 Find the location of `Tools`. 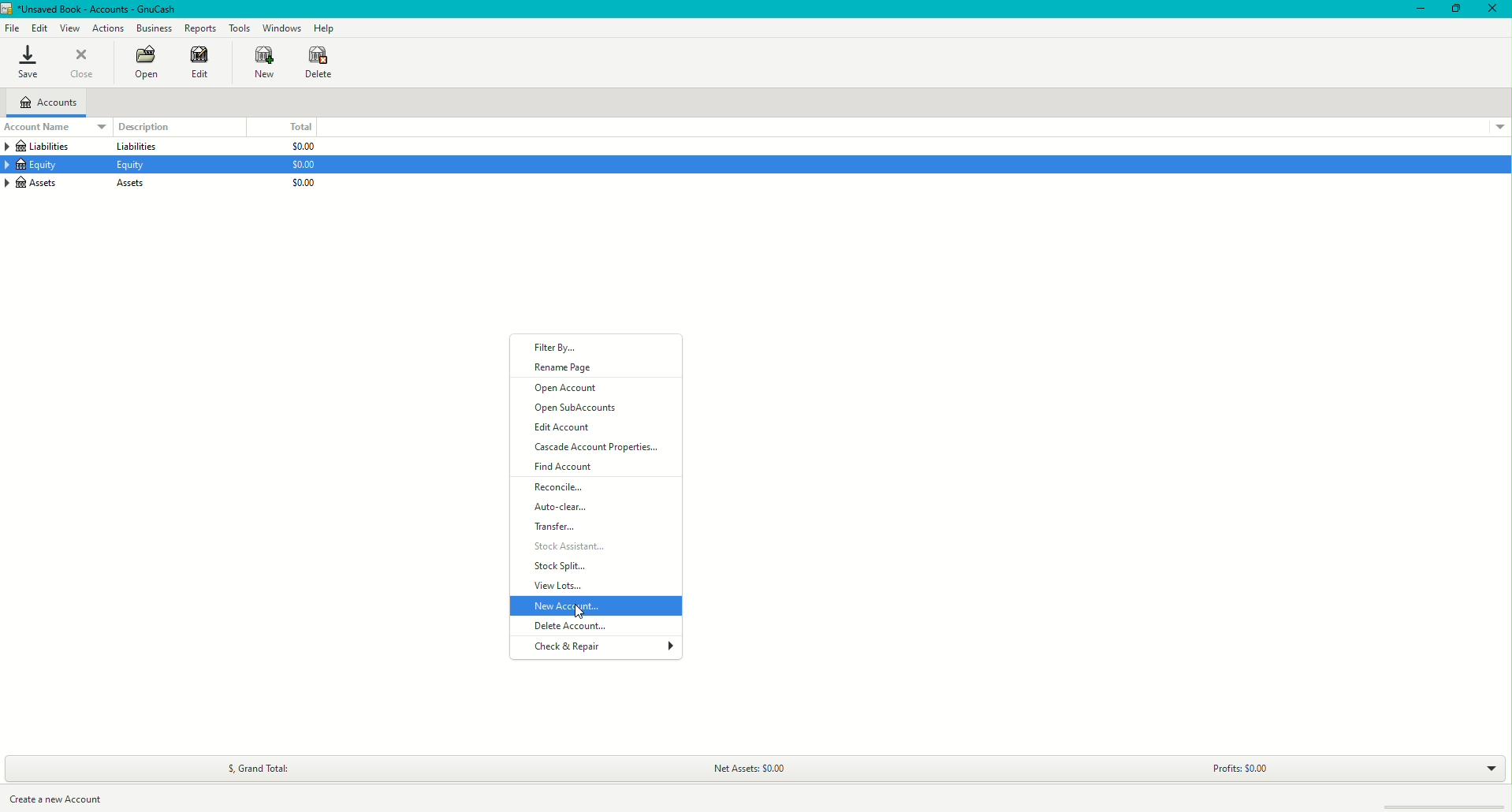

Tools is located at coordinates (238, 25).